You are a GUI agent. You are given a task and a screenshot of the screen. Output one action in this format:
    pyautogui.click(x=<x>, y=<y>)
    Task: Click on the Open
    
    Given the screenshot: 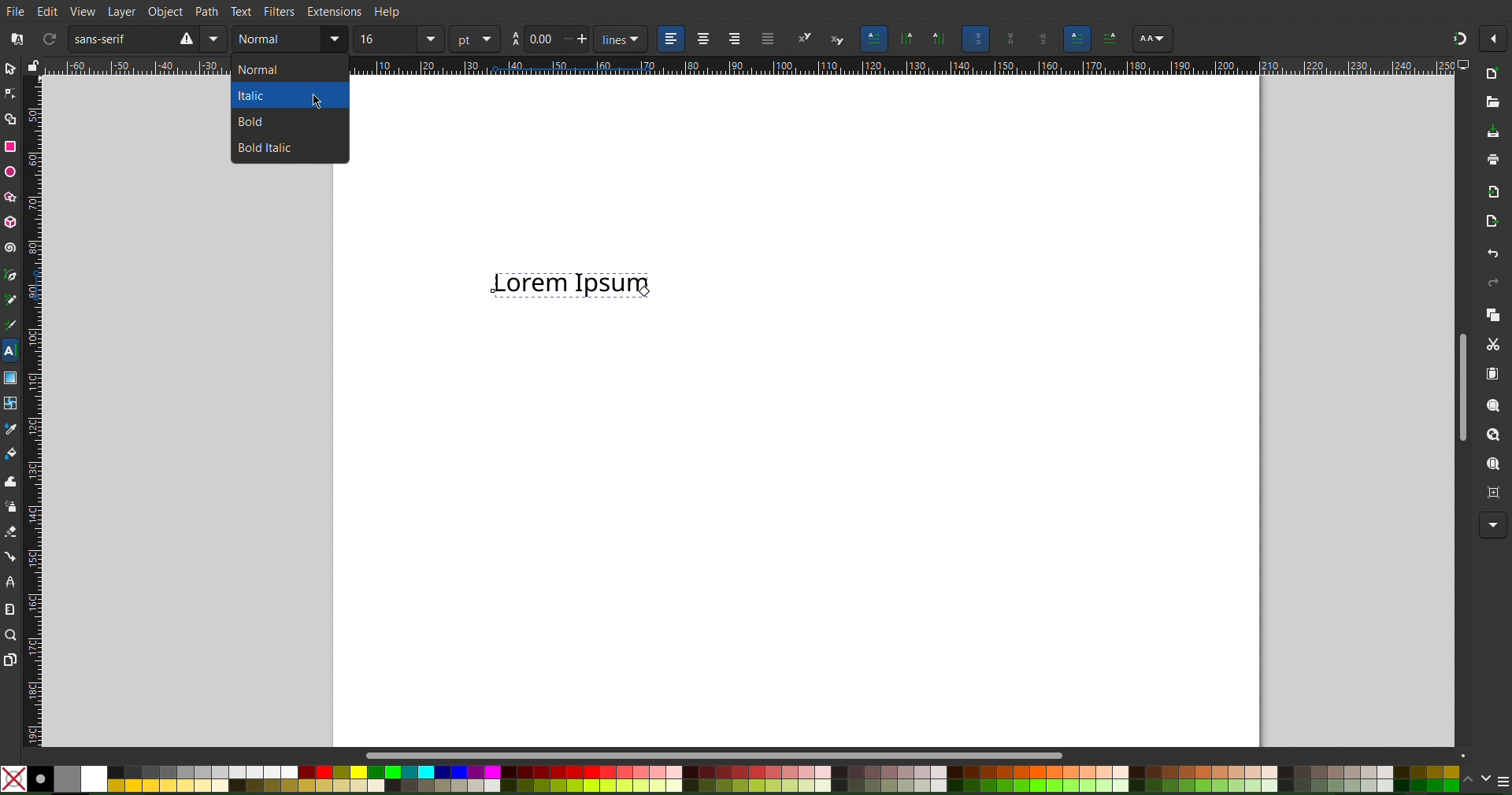 What is the action you would take?
    pyautogui.click(x=1492, y=102)
    